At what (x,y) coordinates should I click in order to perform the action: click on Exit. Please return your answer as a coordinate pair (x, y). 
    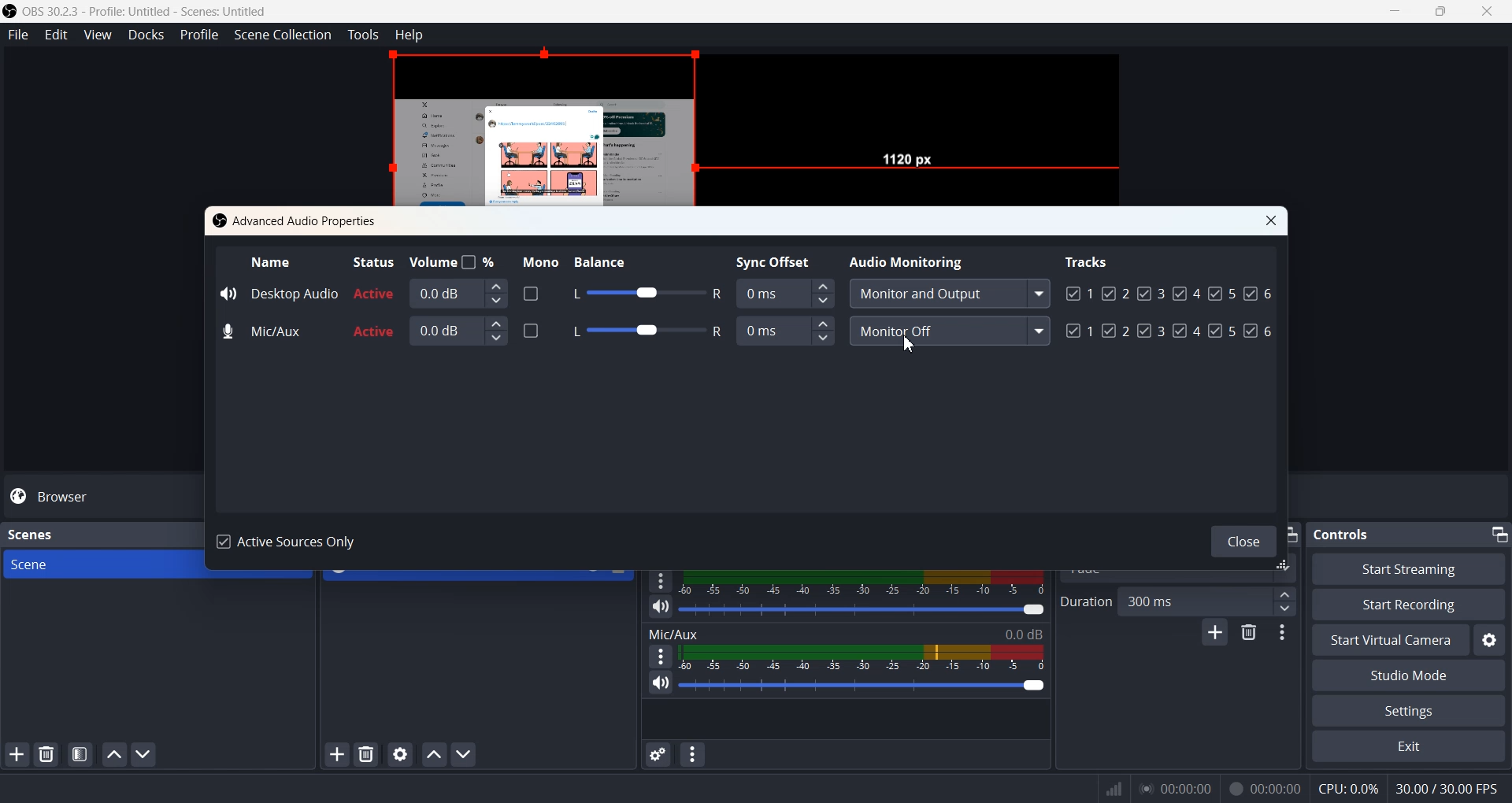
    Looking at the image, I should click on (1407, 748).